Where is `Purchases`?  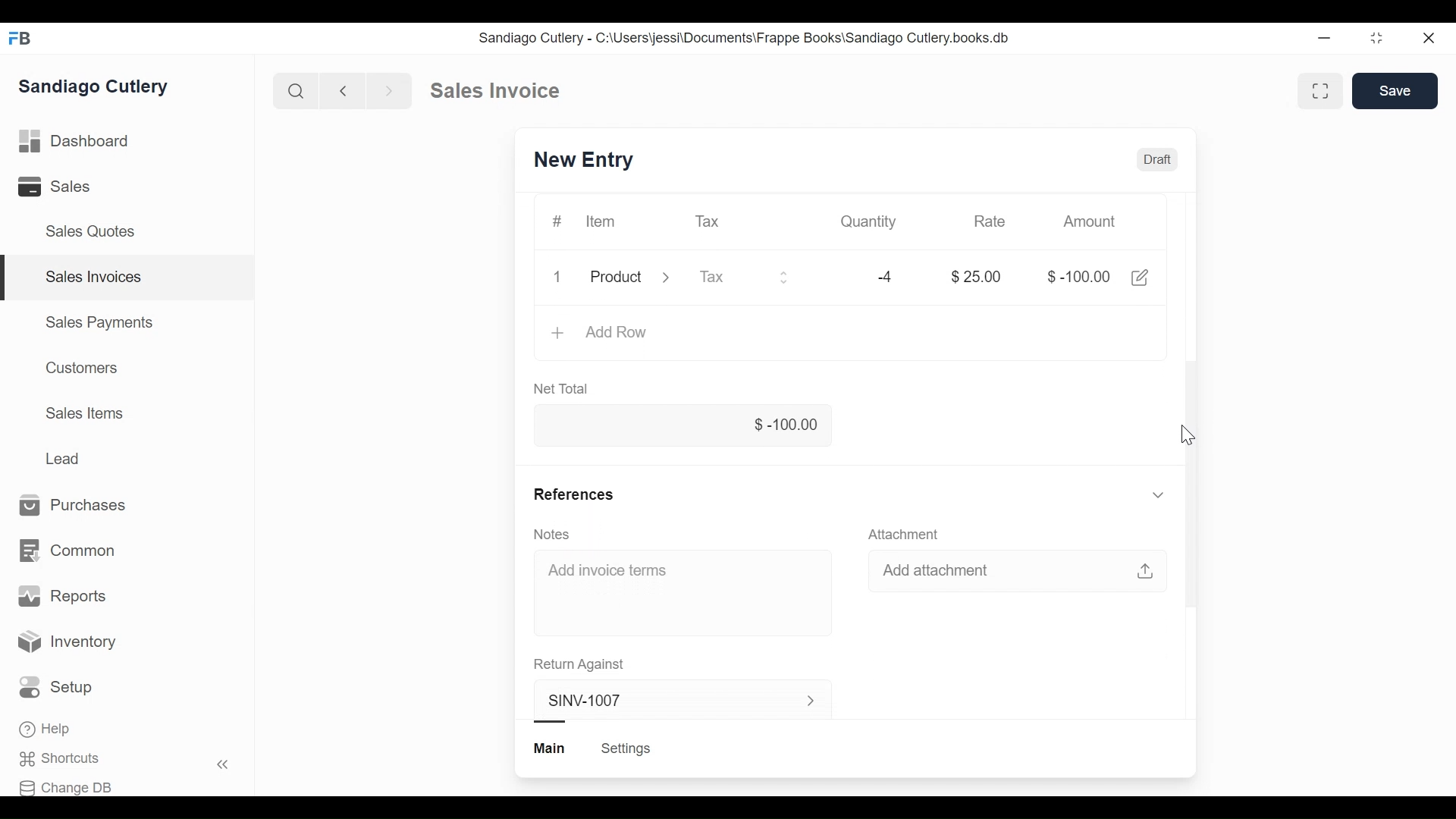
Purchases is located at coordinates (73, 504).